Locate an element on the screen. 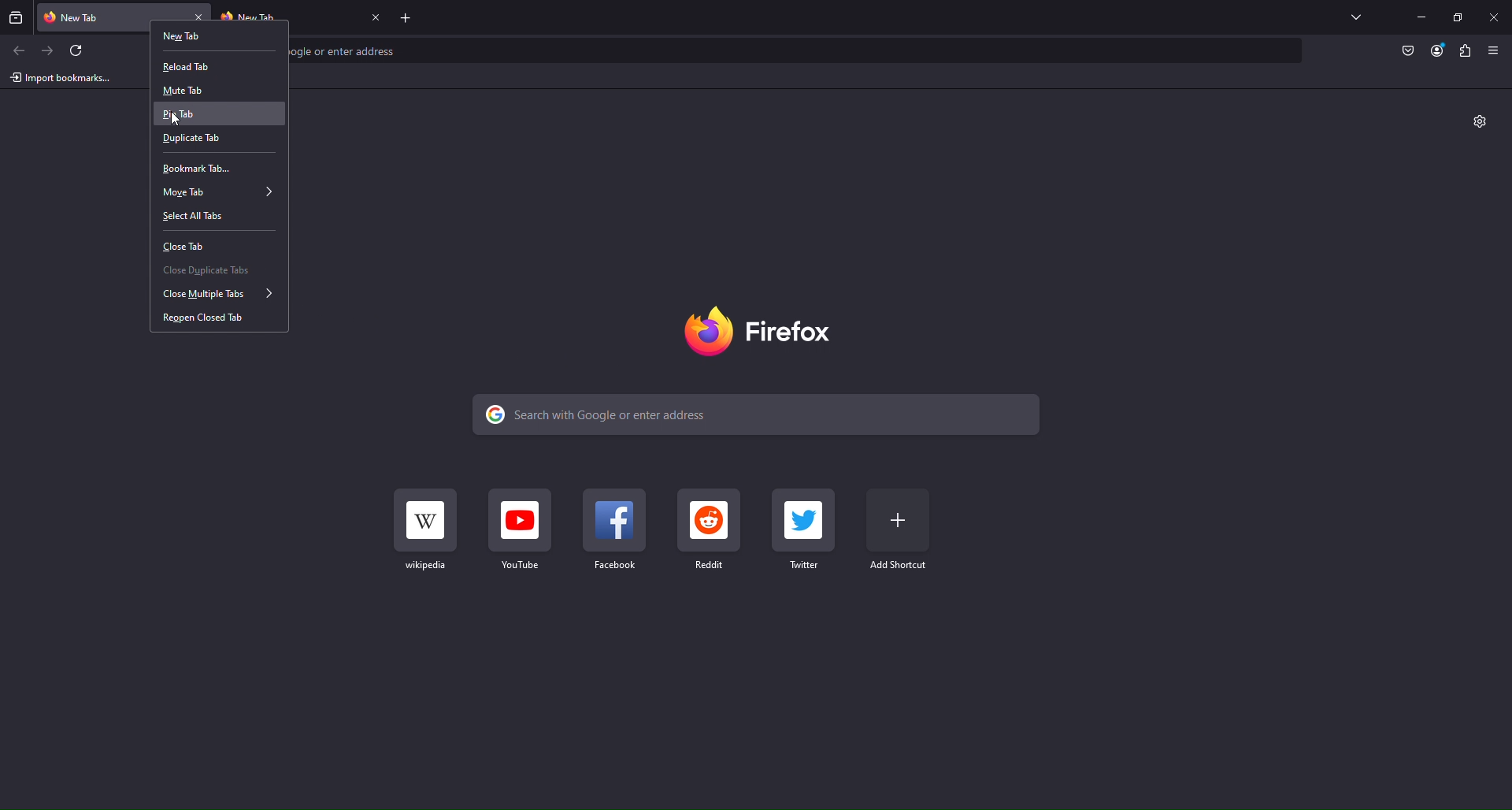  Wikipedia Shortcut is located at coordinates (427, 528).